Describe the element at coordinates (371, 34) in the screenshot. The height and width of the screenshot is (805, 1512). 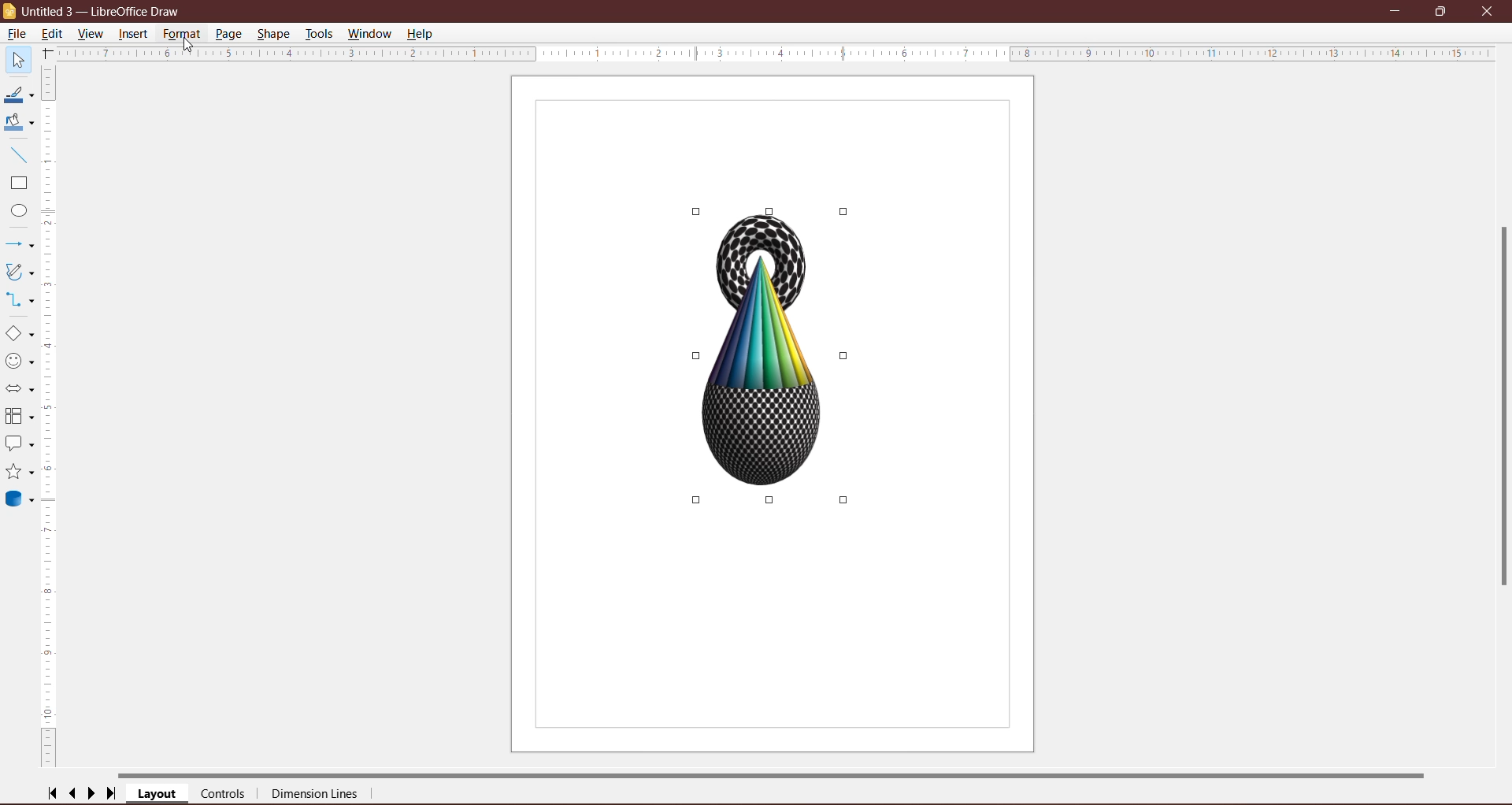
I see `Window` at that location.